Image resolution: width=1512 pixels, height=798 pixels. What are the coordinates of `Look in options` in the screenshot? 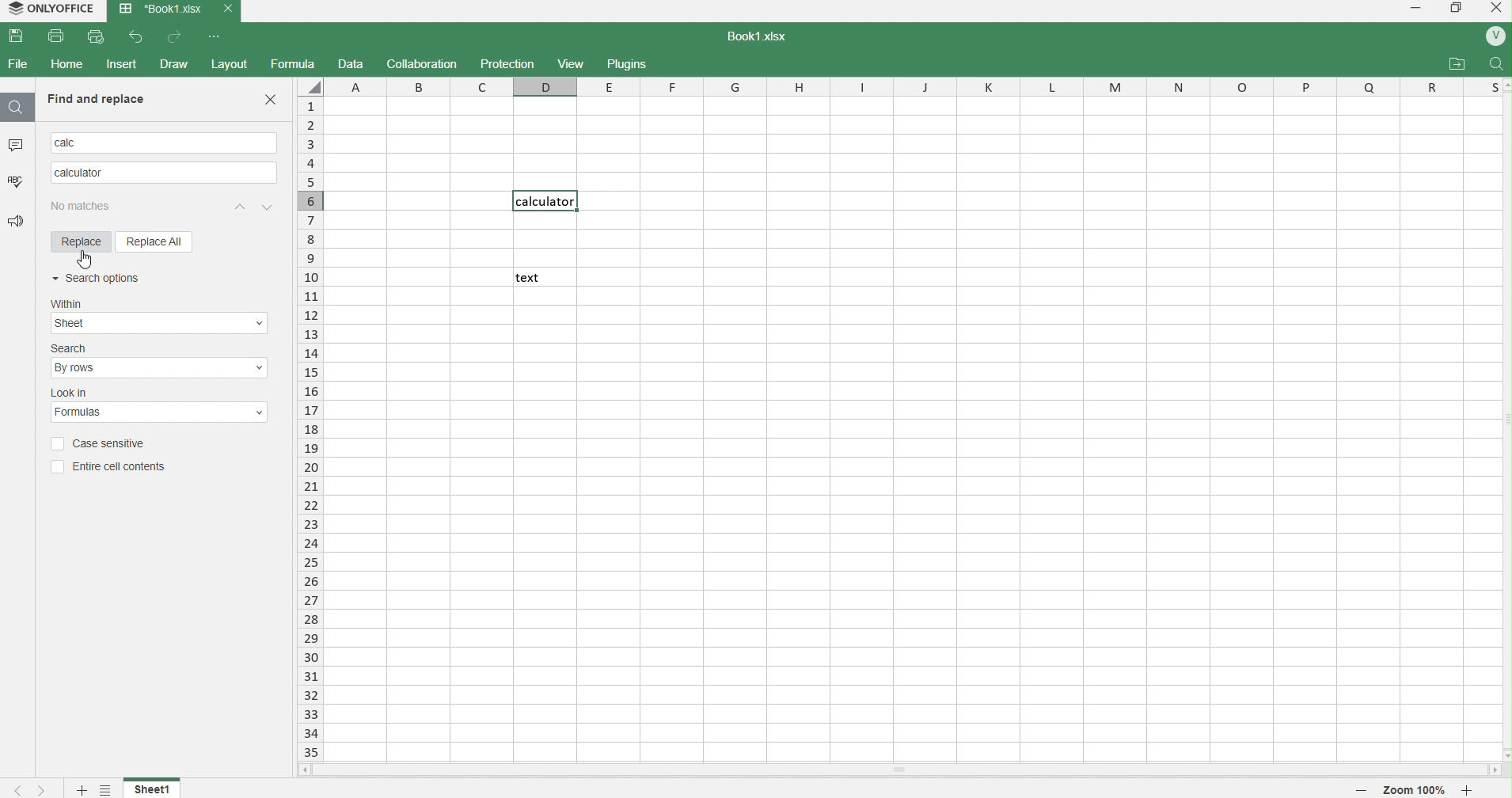 It's located at (159, 413).